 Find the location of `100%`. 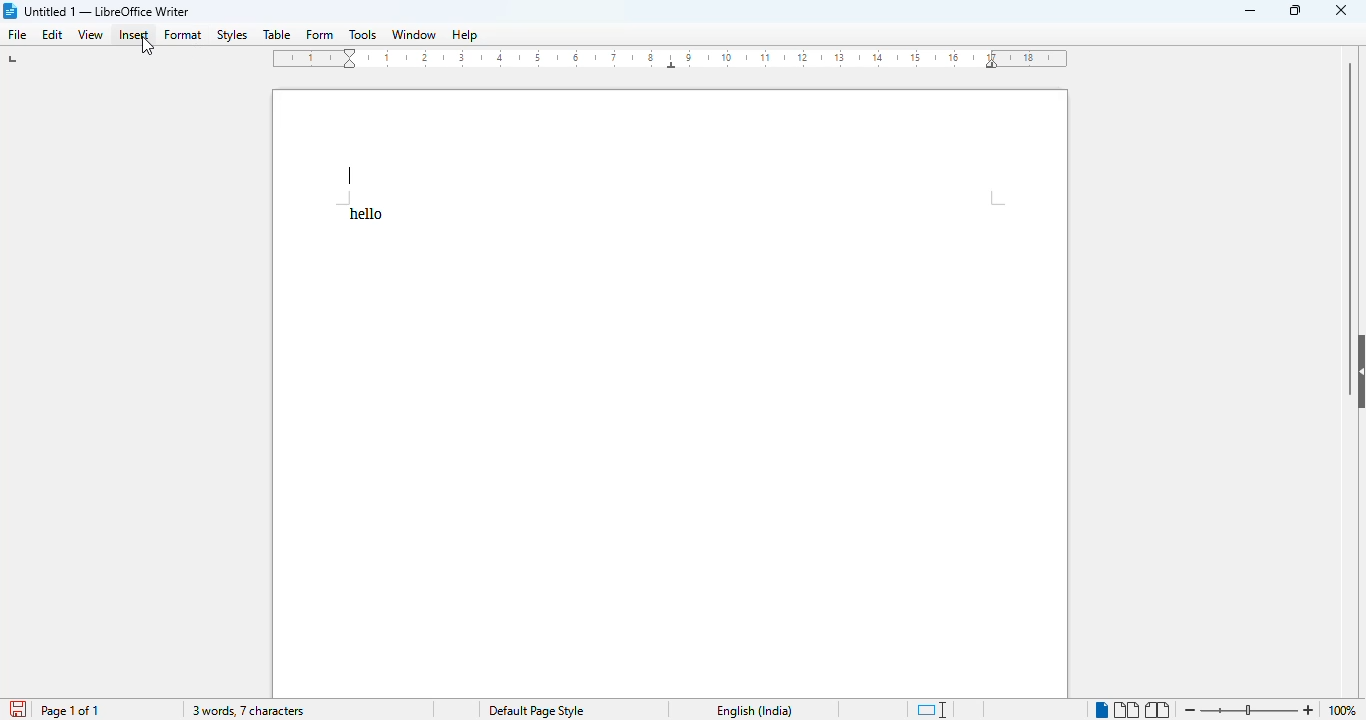

100% is located at coordinates (1341, 712).